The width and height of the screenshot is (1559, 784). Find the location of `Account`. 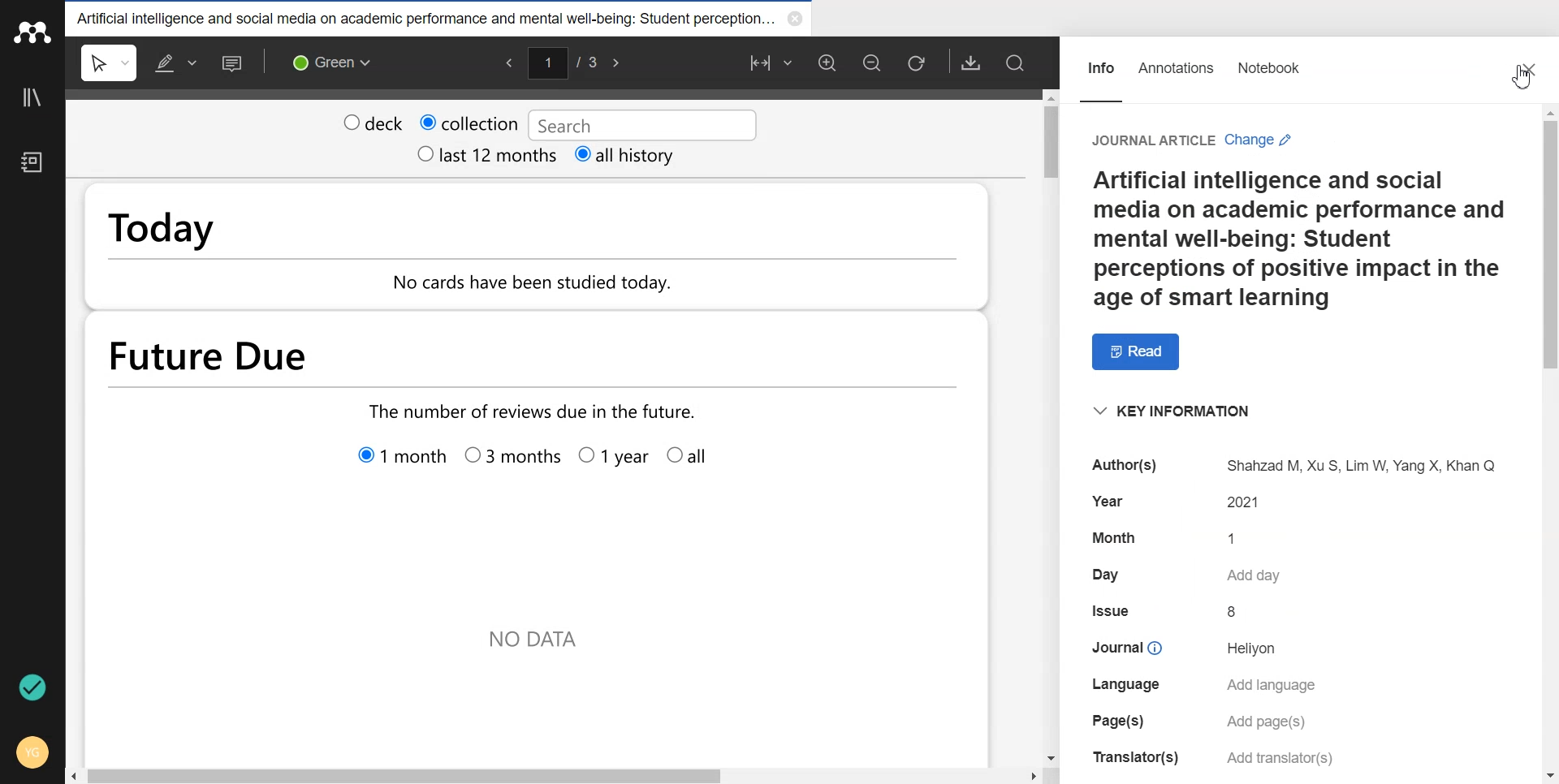

Account is located at coordinates (31, 752).